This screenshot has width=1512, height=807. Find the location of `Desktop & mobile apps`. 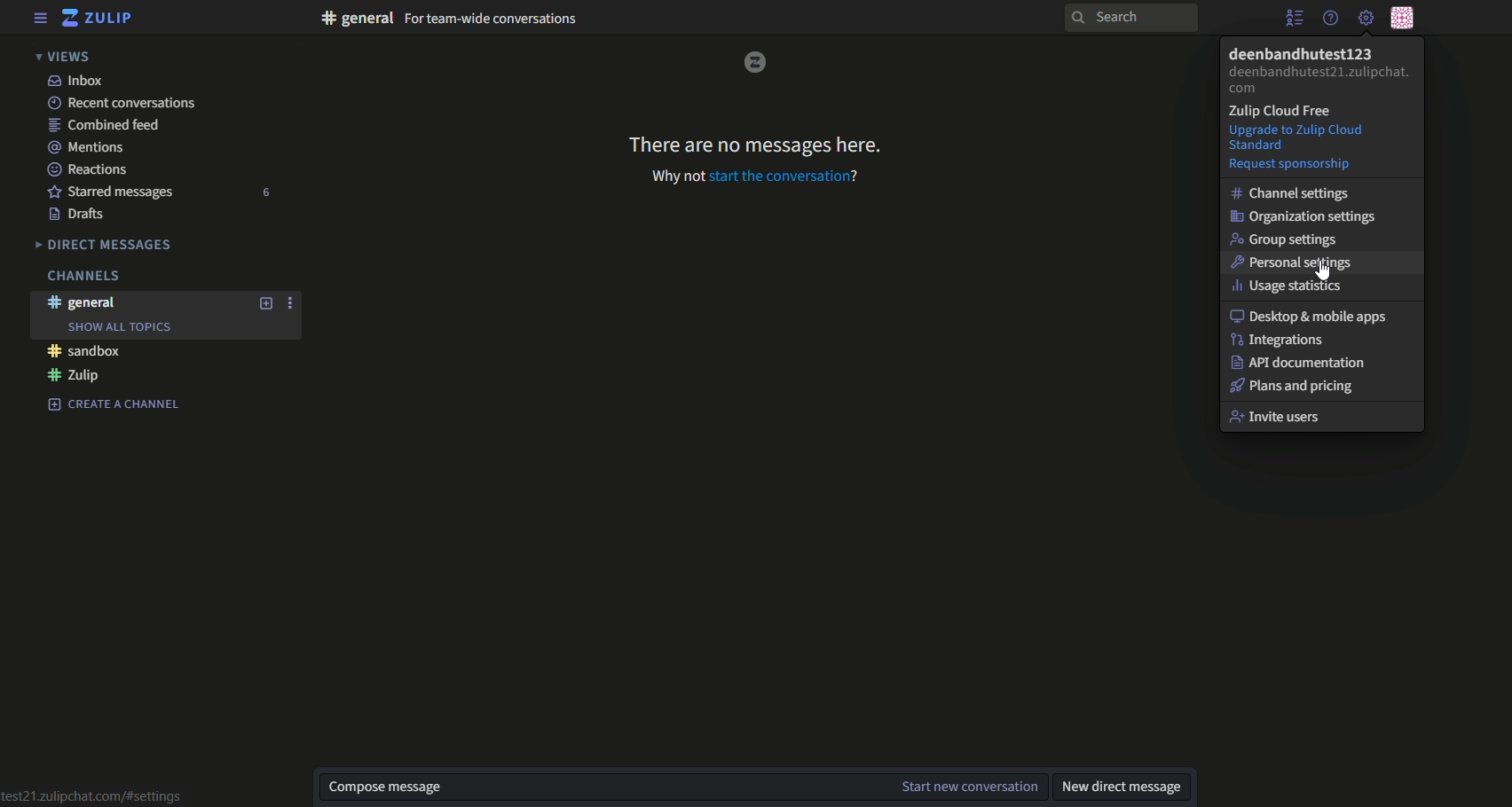

Desktop & mobile apps is located at coordinates (1311, 318).